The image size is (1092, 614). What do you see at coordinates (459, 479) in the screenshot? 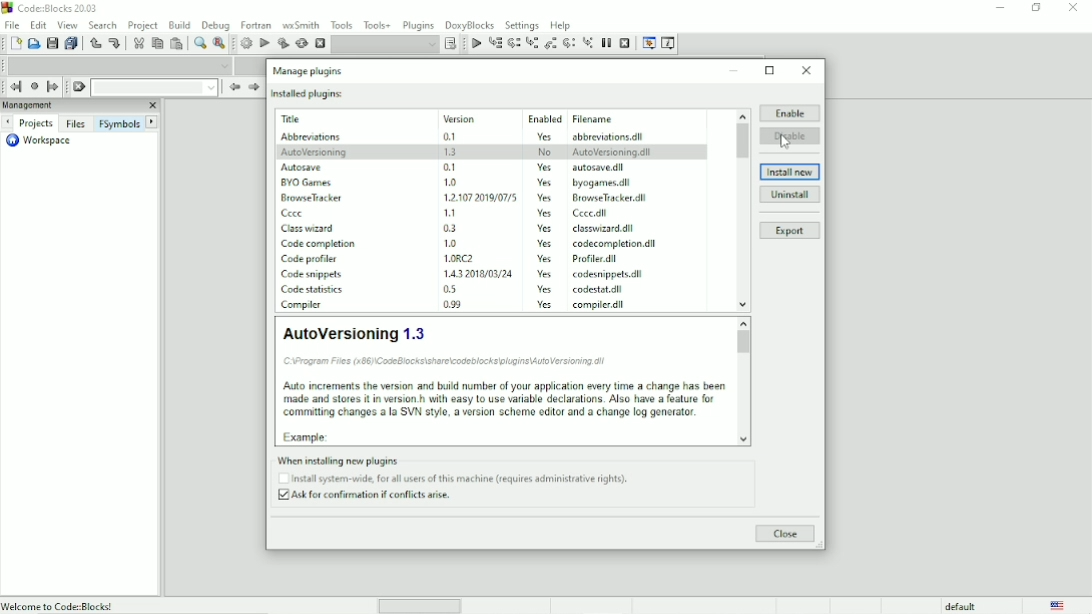
I see `install system-wide, for all users of this machine (requires administrative rights).` at bounding box center [459, 479].